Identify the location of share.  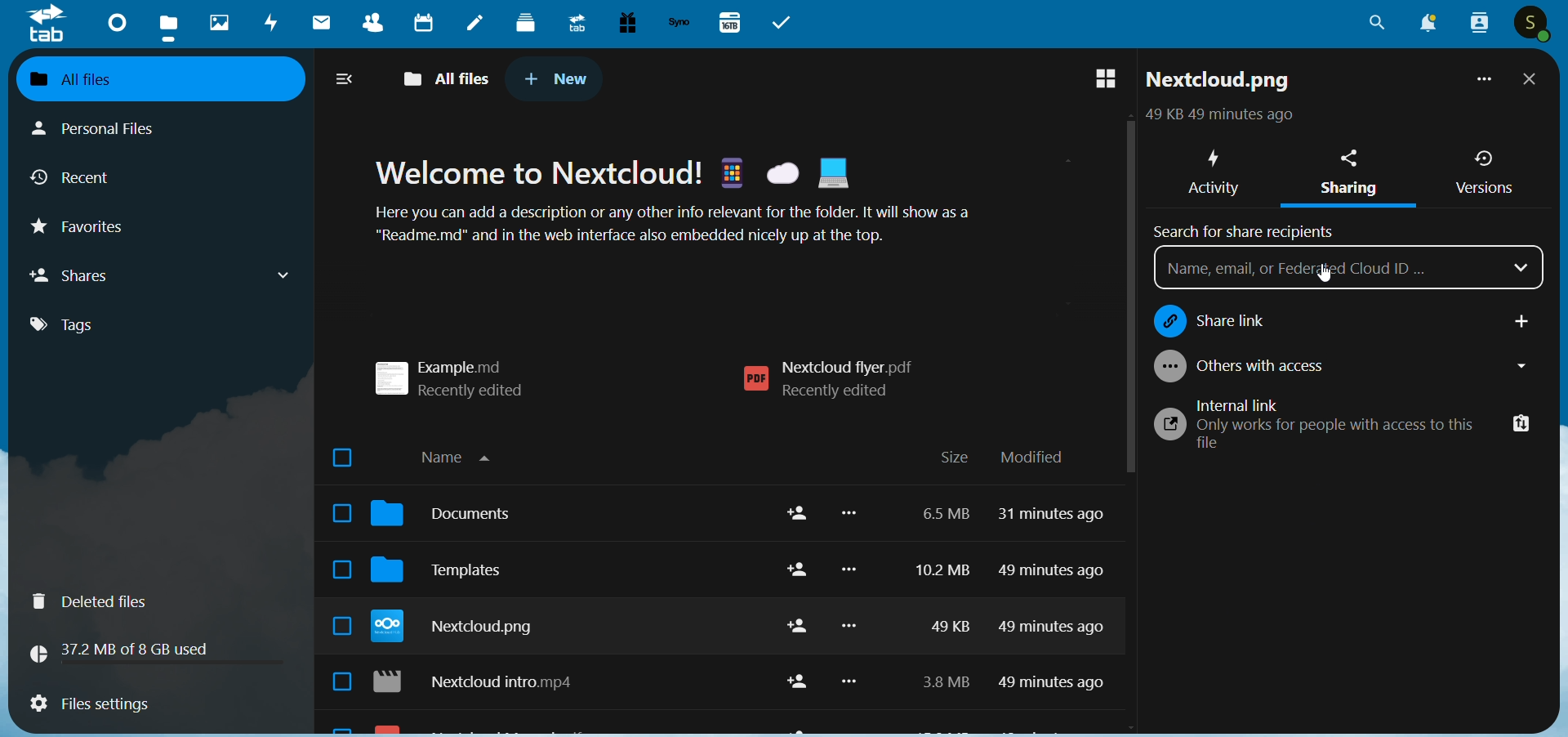
(792, 601).